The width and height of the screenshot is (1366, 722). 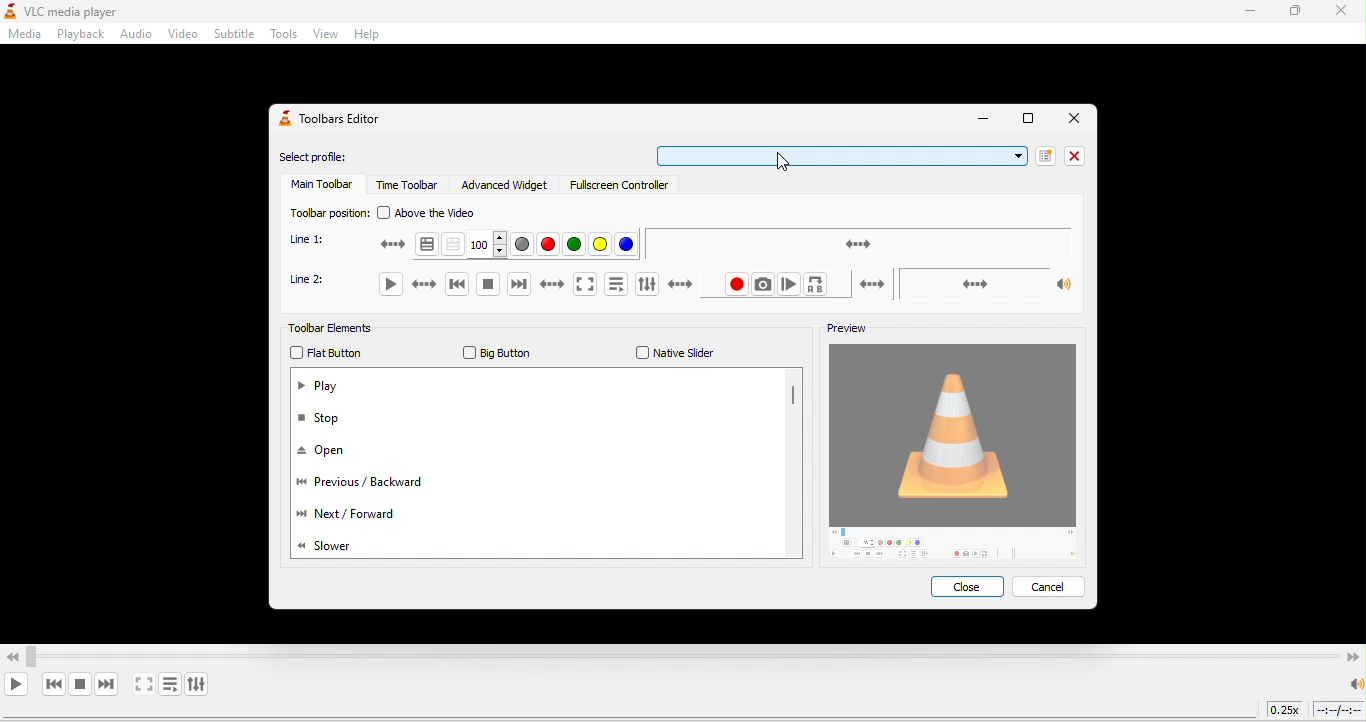 I want to click on show extended settings, so click(x=650, y=285).